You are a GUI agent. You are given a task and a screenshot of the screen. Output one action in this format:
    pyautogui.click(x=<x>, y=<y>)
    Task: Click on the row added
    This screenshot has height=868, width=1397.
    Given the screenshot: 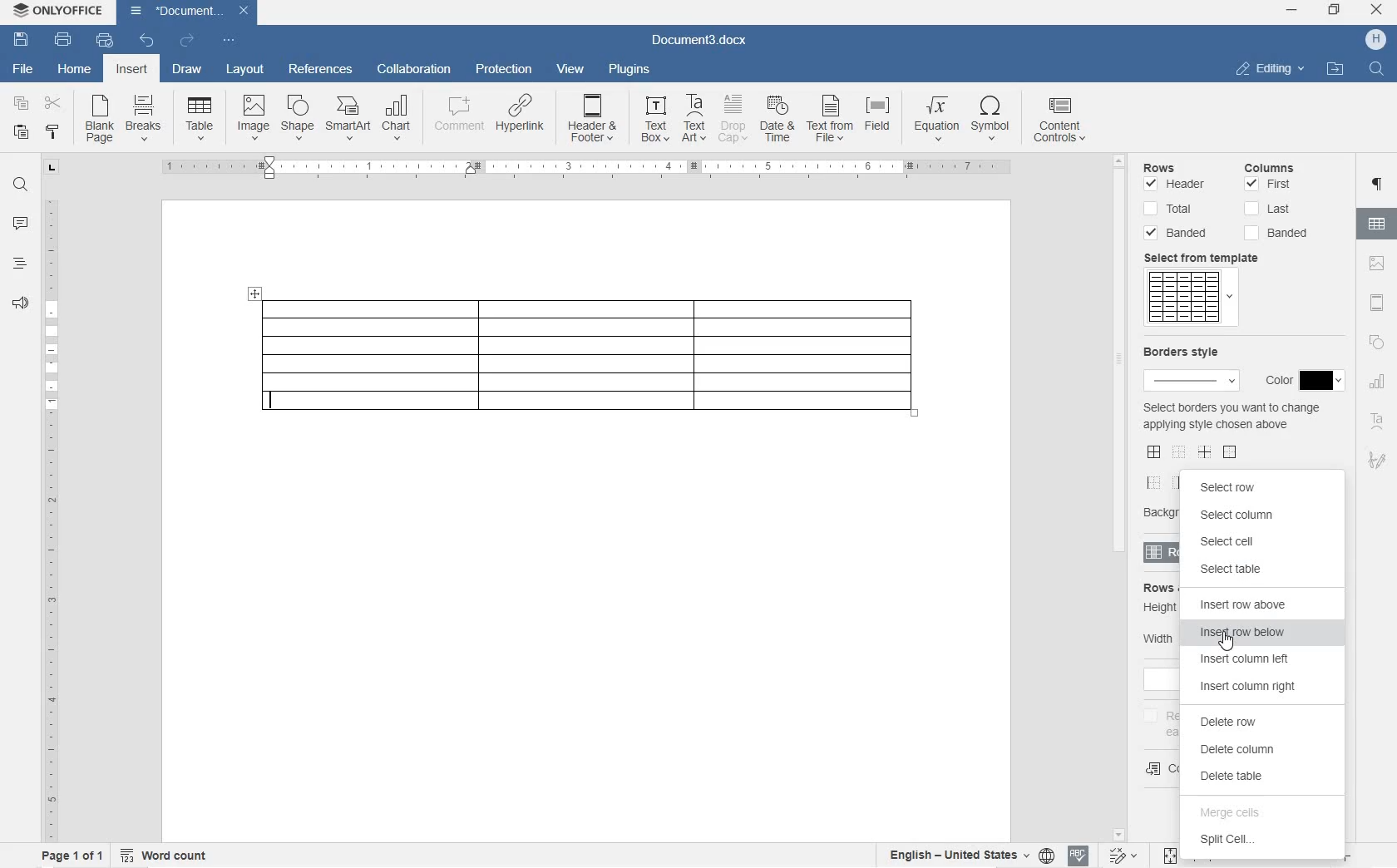 What is the action you would take?
    pyautogui.click(x=584, y=431)
    